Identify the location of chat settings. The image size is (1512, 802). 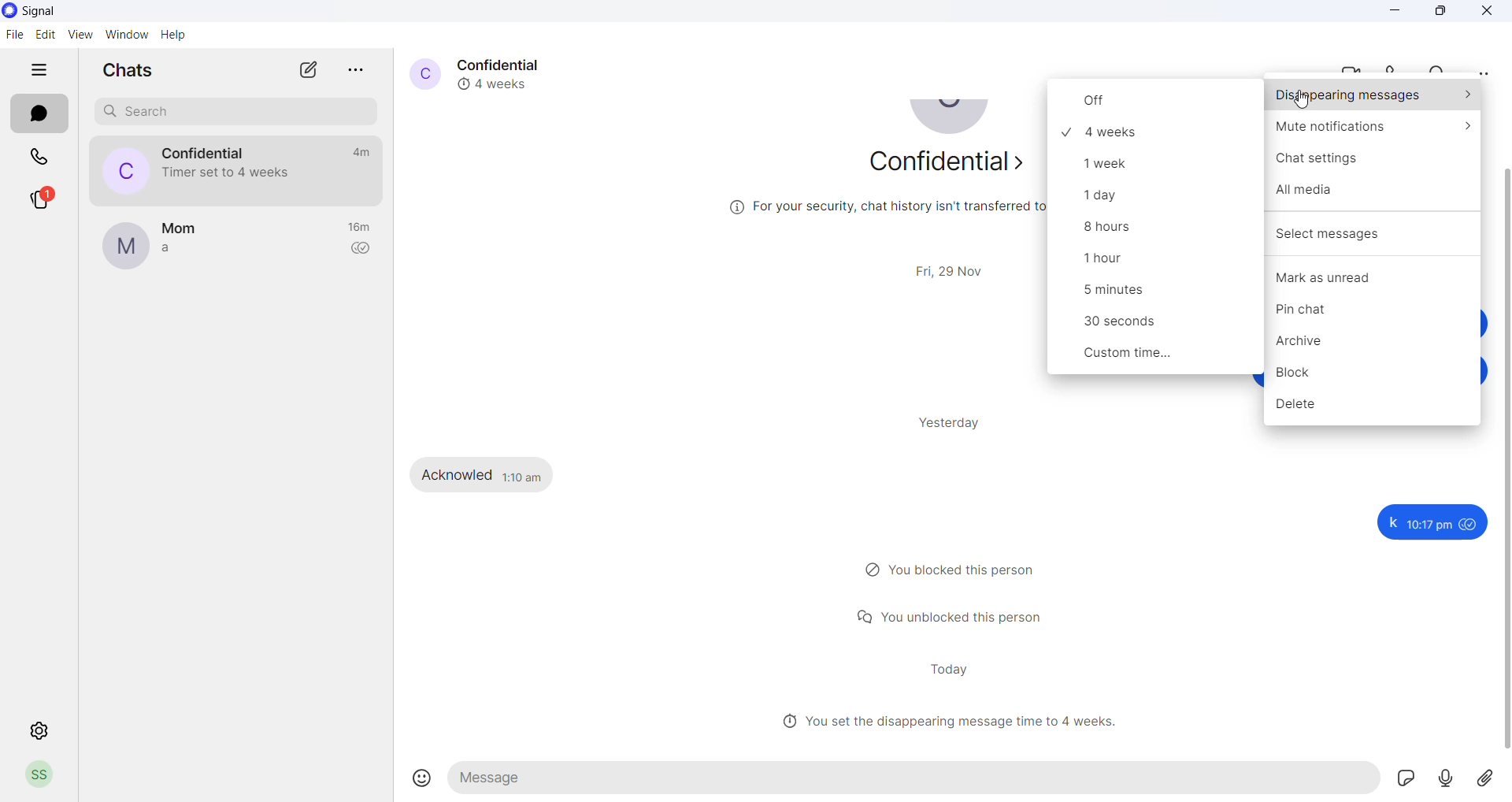
(1374, 164).